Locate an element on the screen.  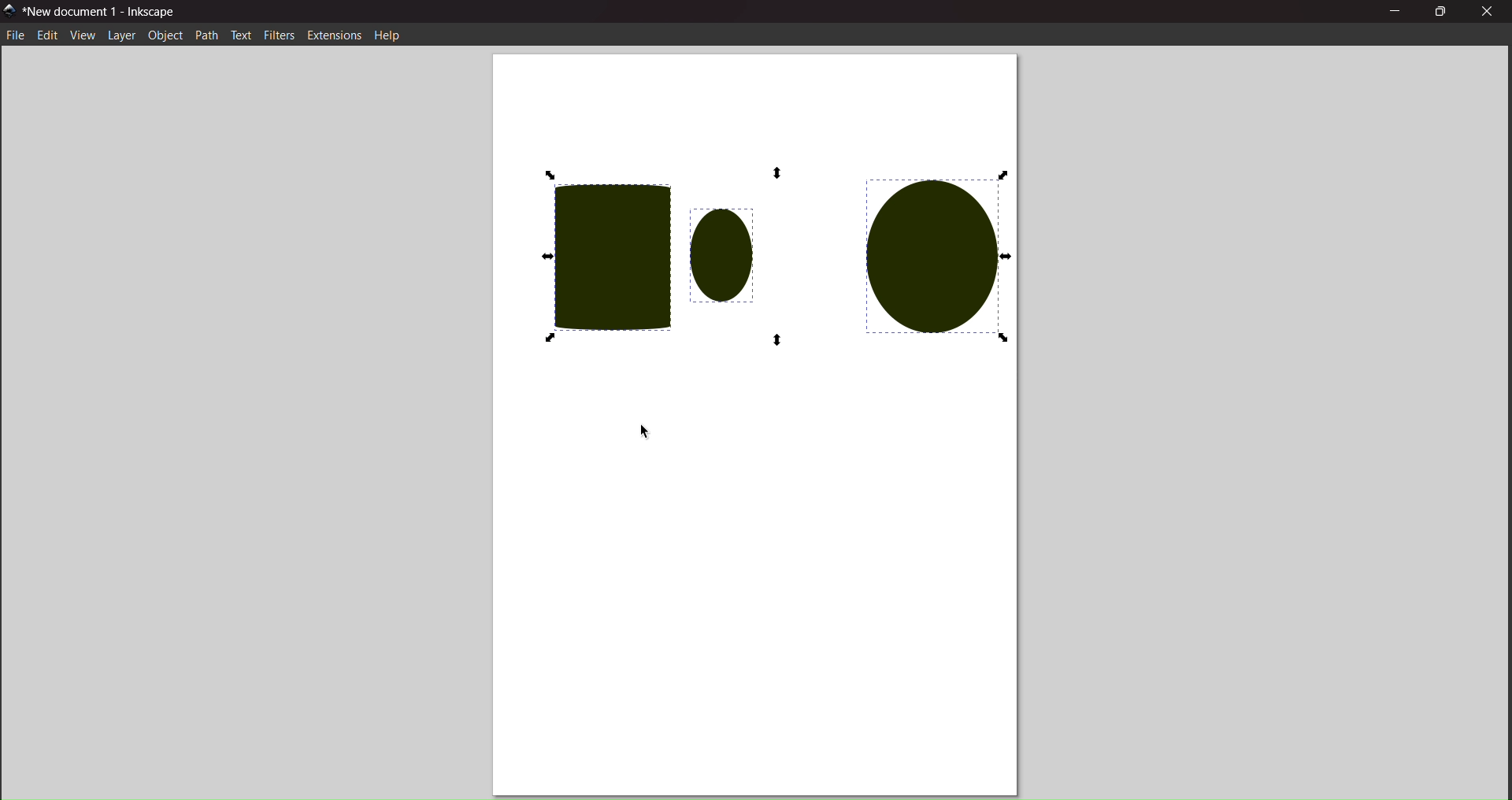
help is located at coordinates (387, 36).